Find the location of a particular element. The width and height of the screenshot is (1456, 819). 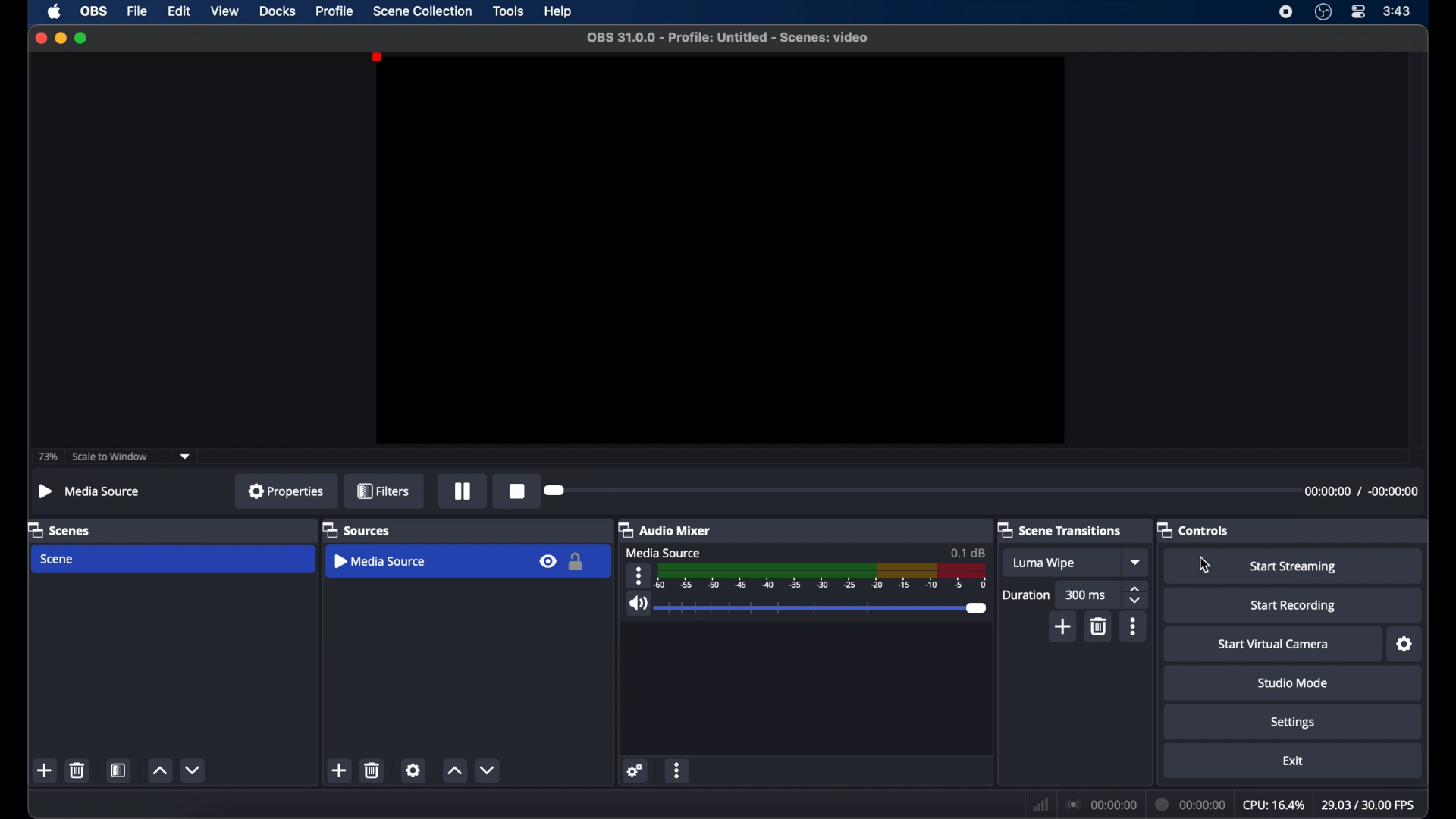

scale  to window is located at coordinates (110, 457).